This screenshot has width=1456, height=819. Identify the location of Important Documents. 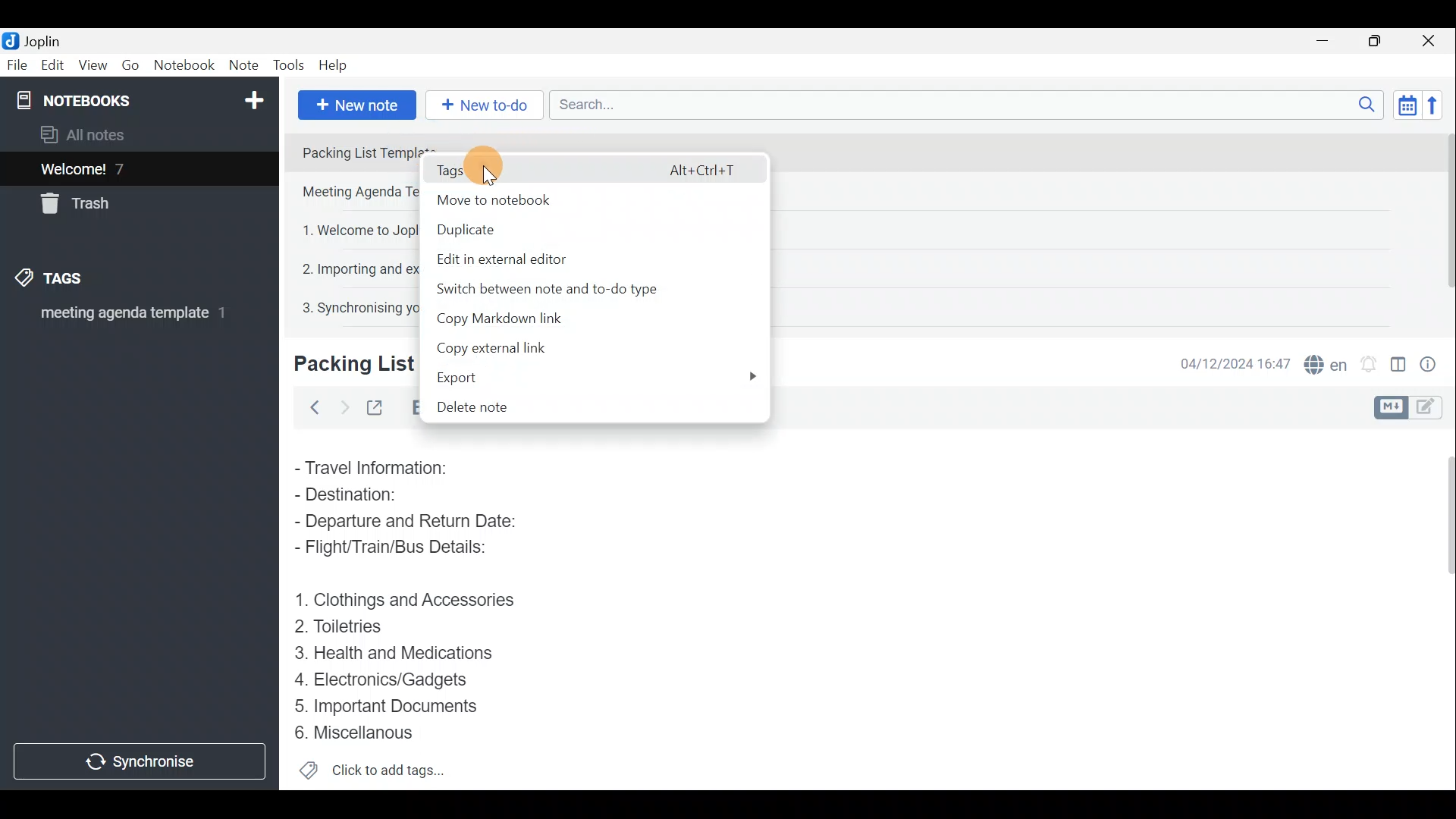
(390, 705).